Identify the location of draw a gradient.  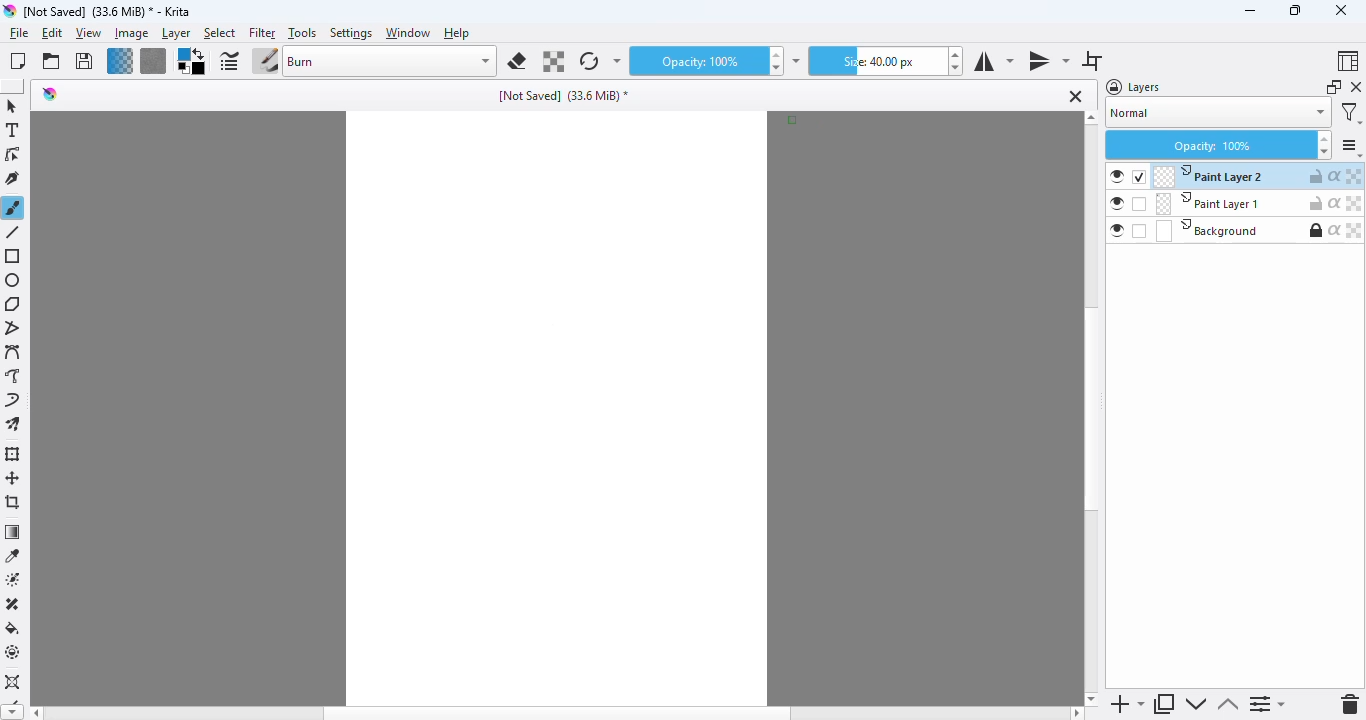
(13, 532).